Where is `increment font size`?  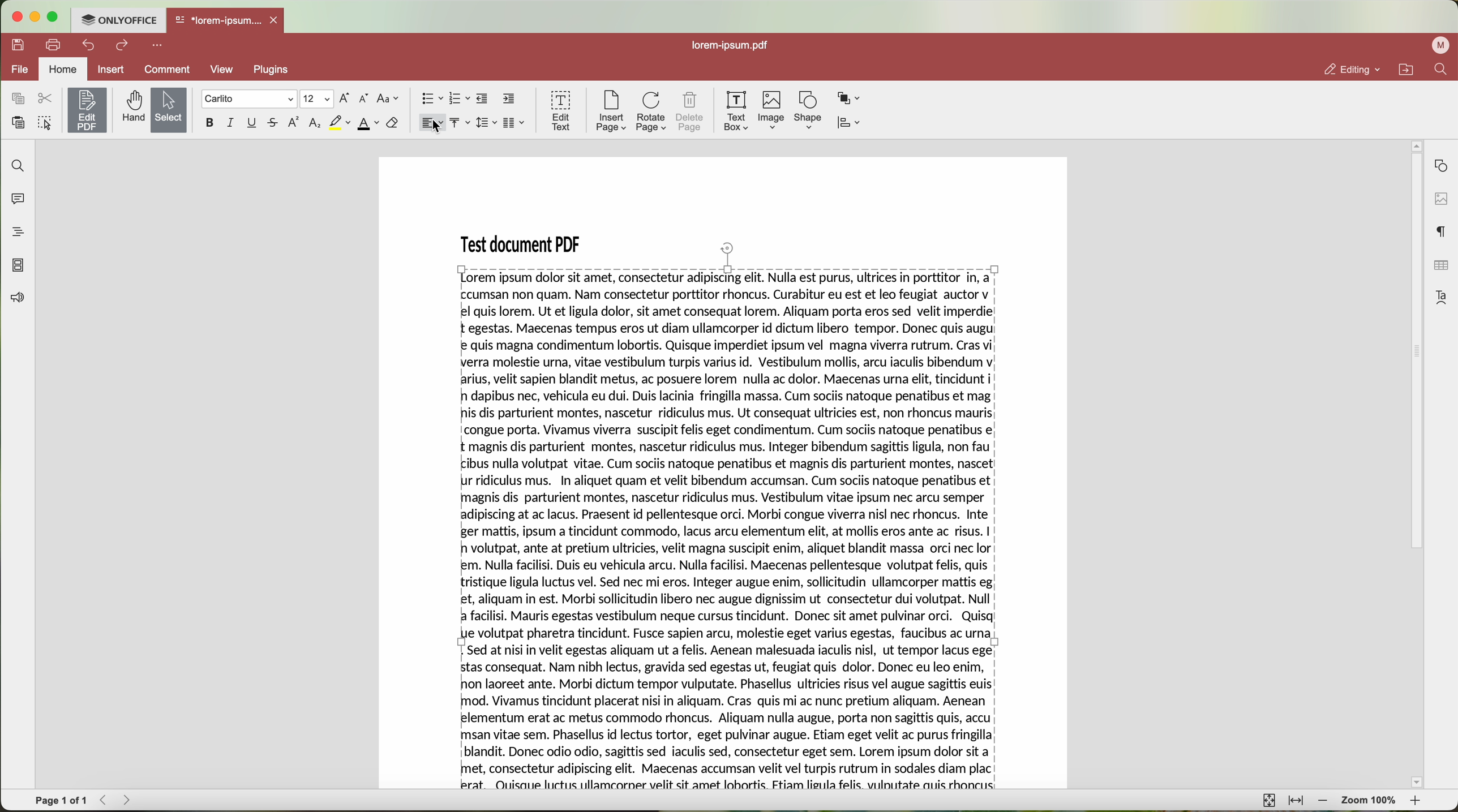 increment font size is located at coordinates (345, 98).